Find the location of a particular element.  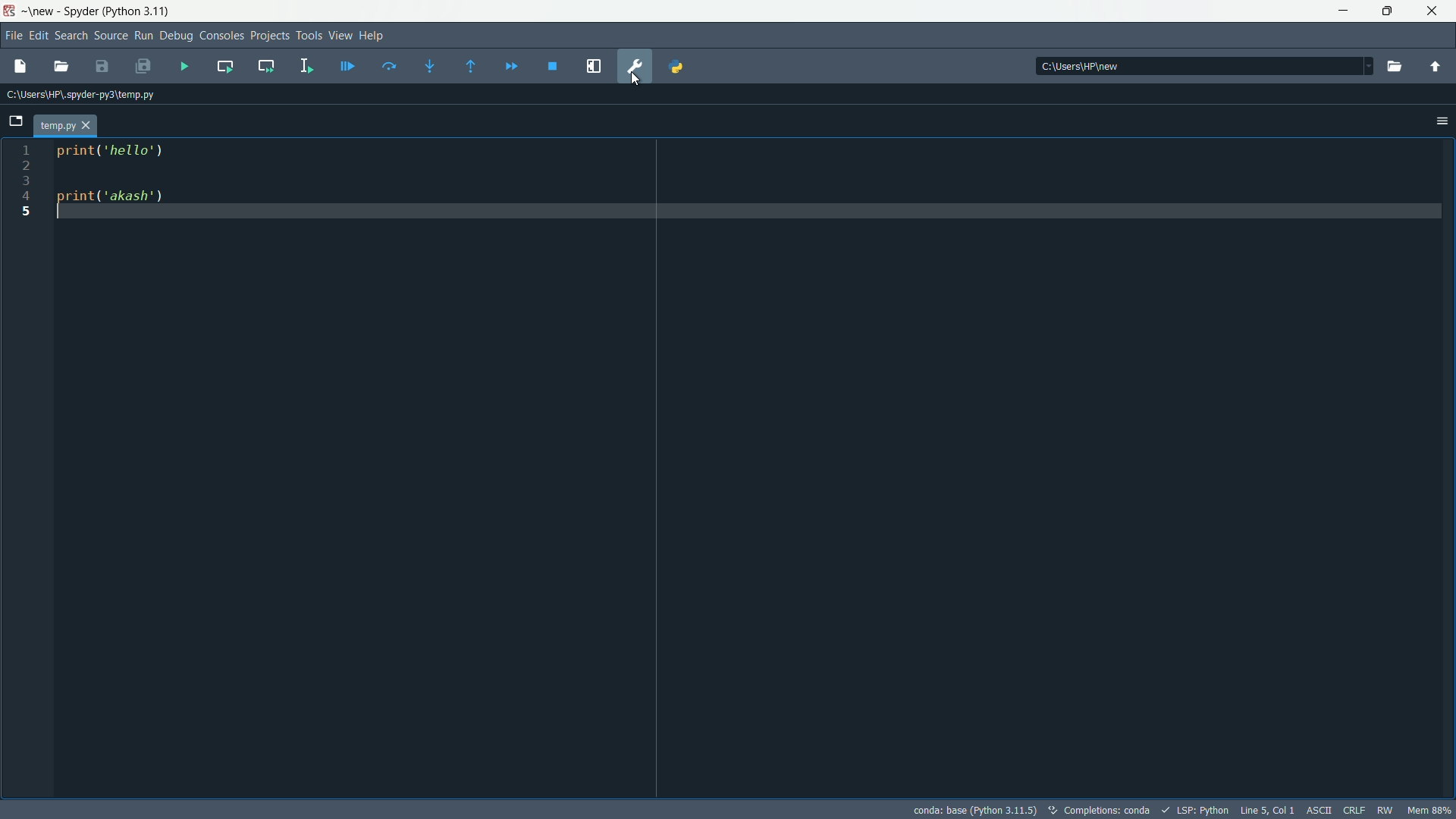

edit menu is located at coordinates (39, 34).